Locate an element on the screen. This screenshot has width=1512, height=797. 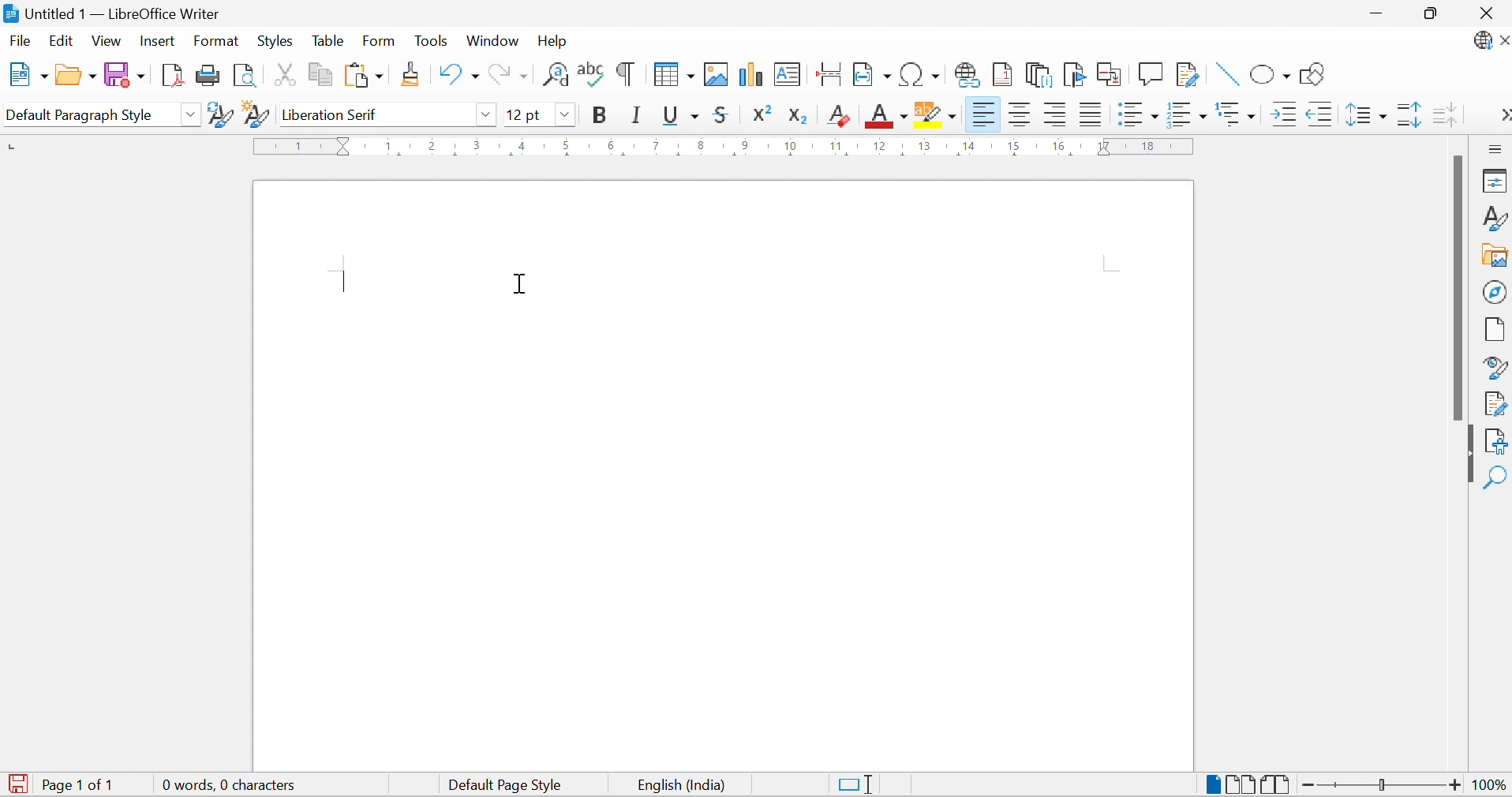
Single-page View is located at coordinates (1212, 782).